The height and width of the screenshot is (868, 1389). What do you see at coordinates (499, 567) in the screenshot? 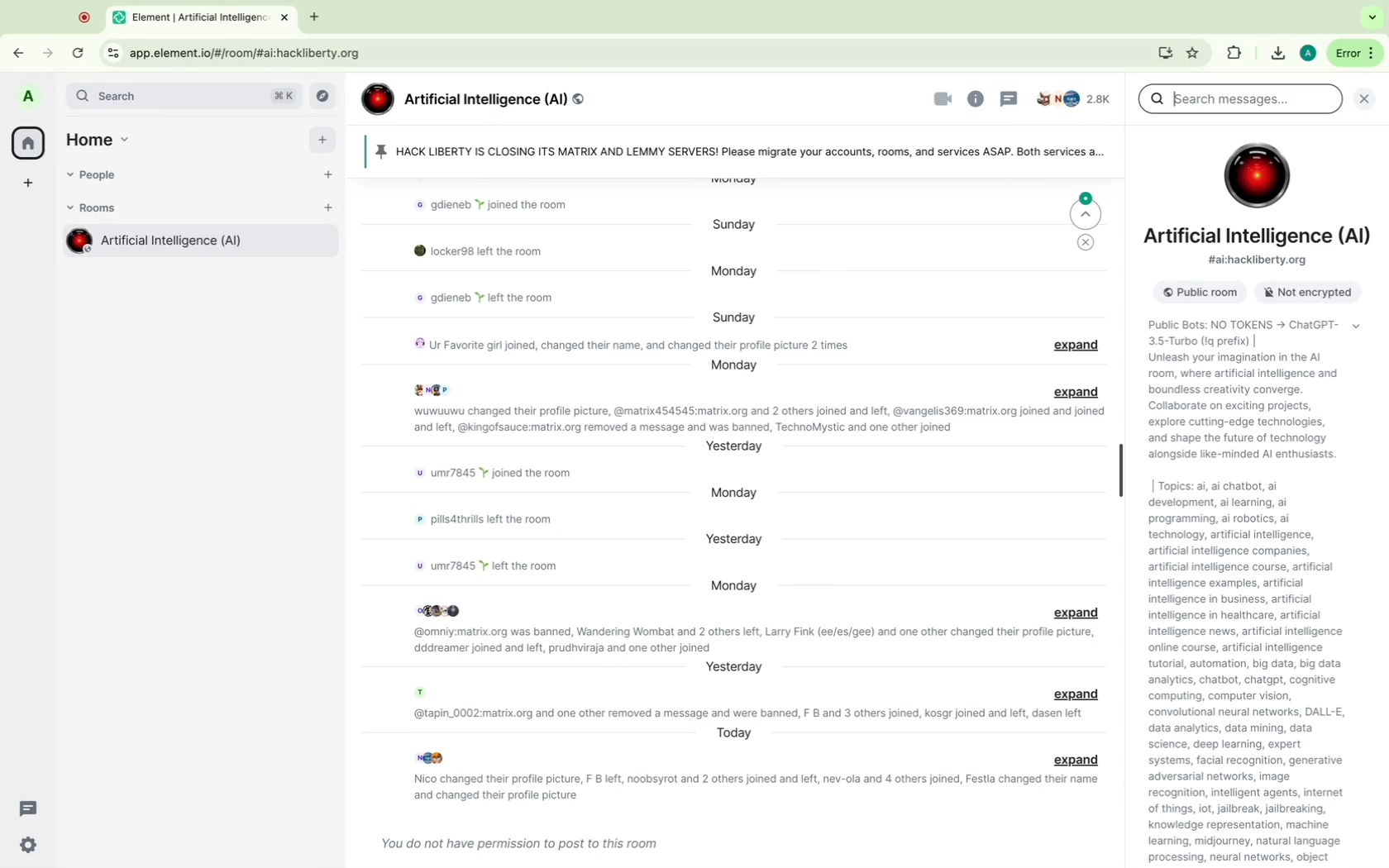
I see `message` at bounding box center [499, 567].